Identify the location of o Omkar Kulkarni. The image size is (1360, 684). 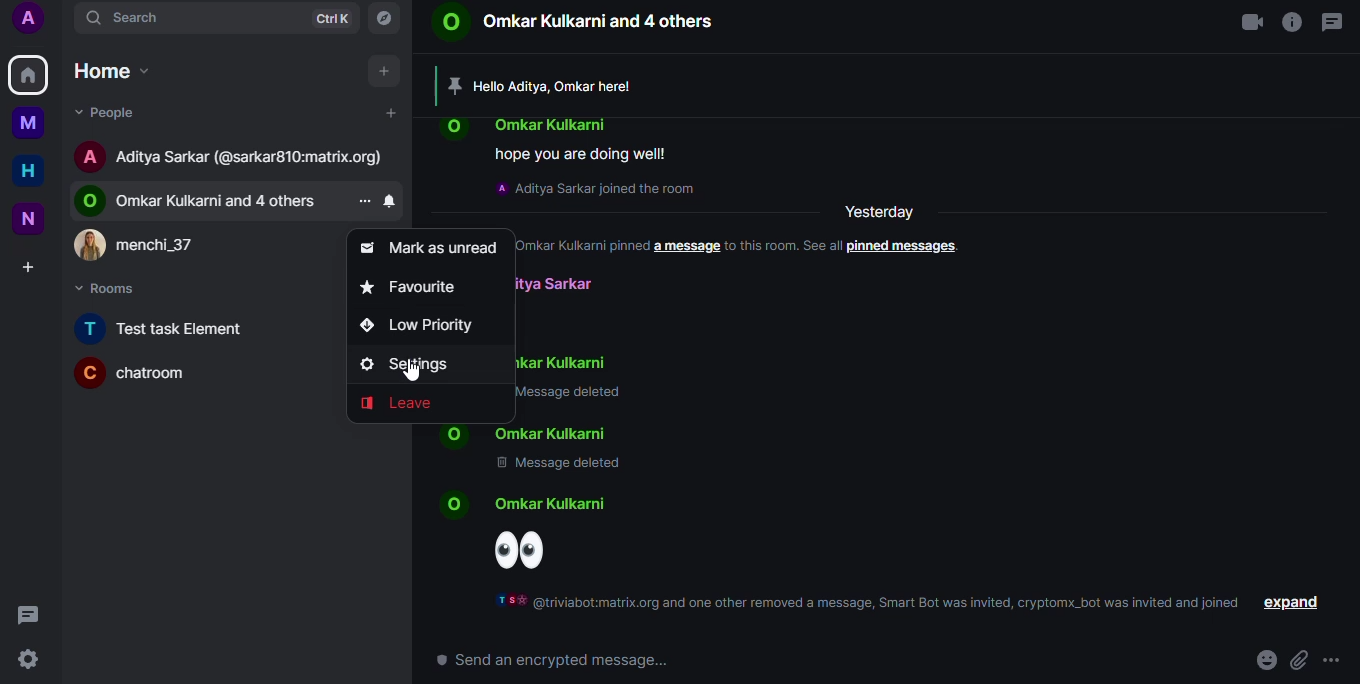
(557, 432).